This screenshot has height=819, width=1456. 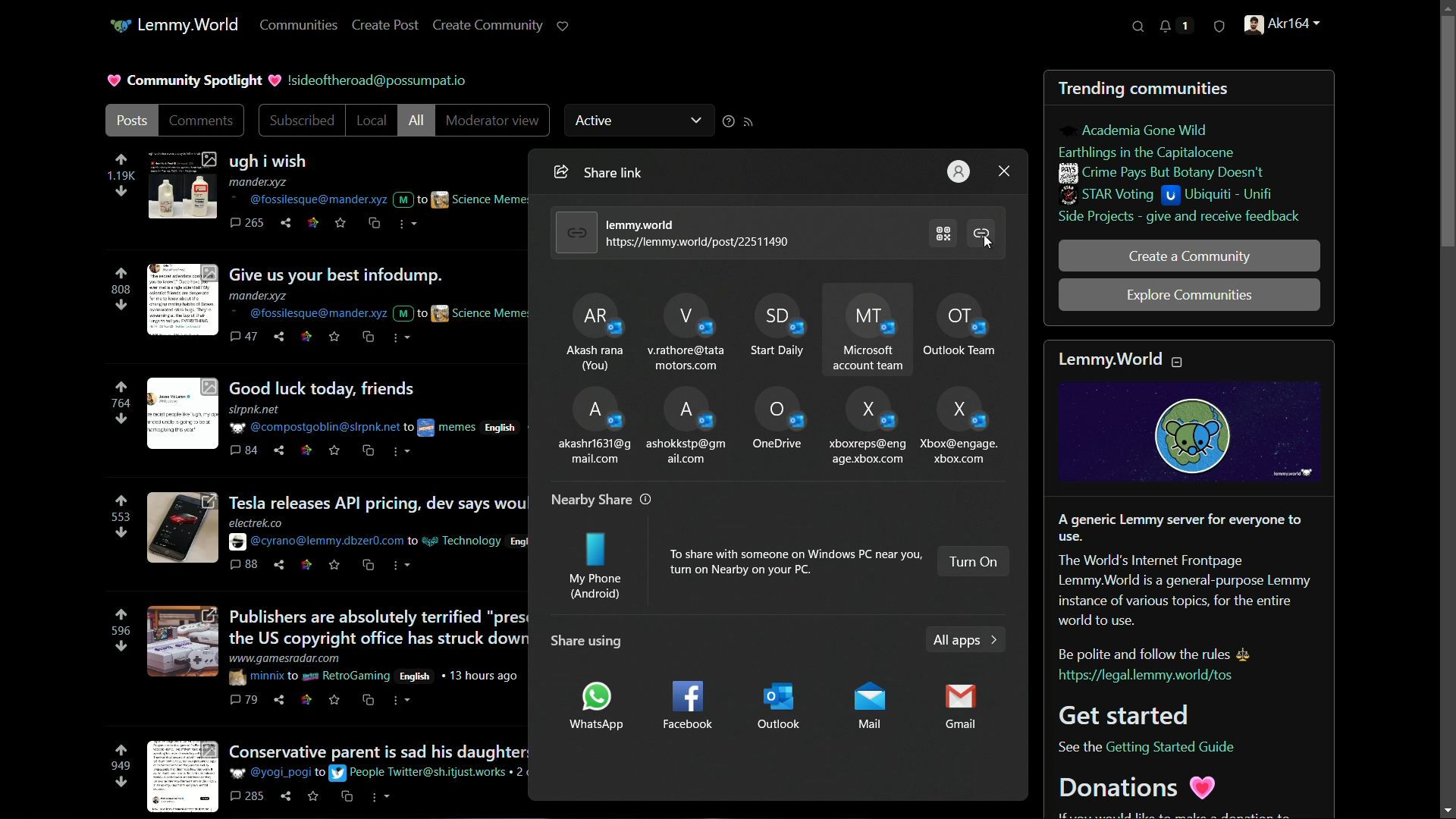 What do you see at coordinates (409, 428) in the screenshot?
I see `to` at bounding box center [409, 428].